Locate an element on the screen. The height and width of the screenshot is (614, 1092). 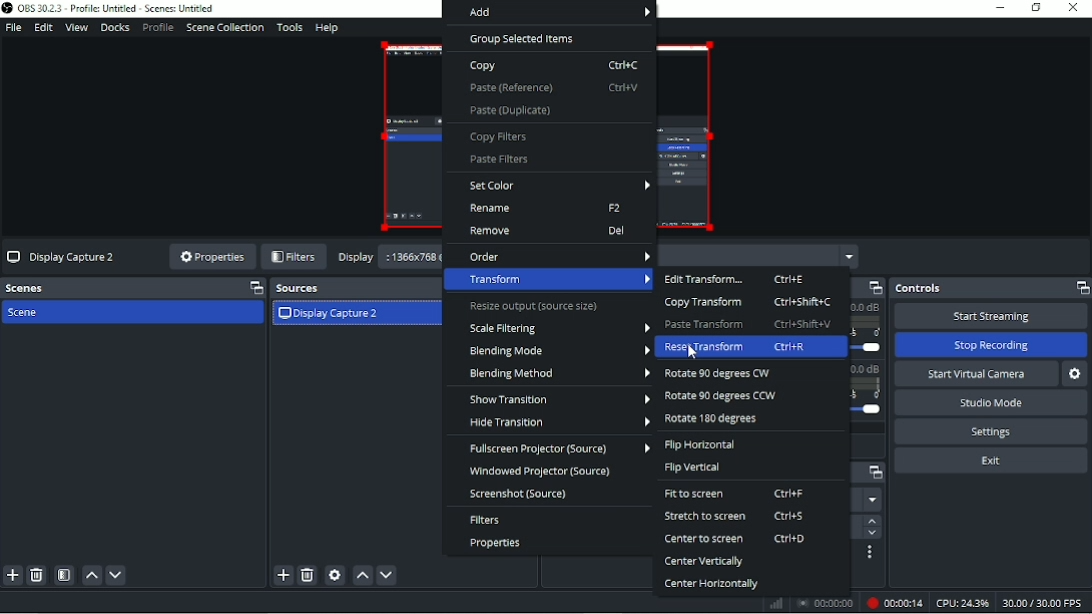
Order is located at coordinates (559, 255).